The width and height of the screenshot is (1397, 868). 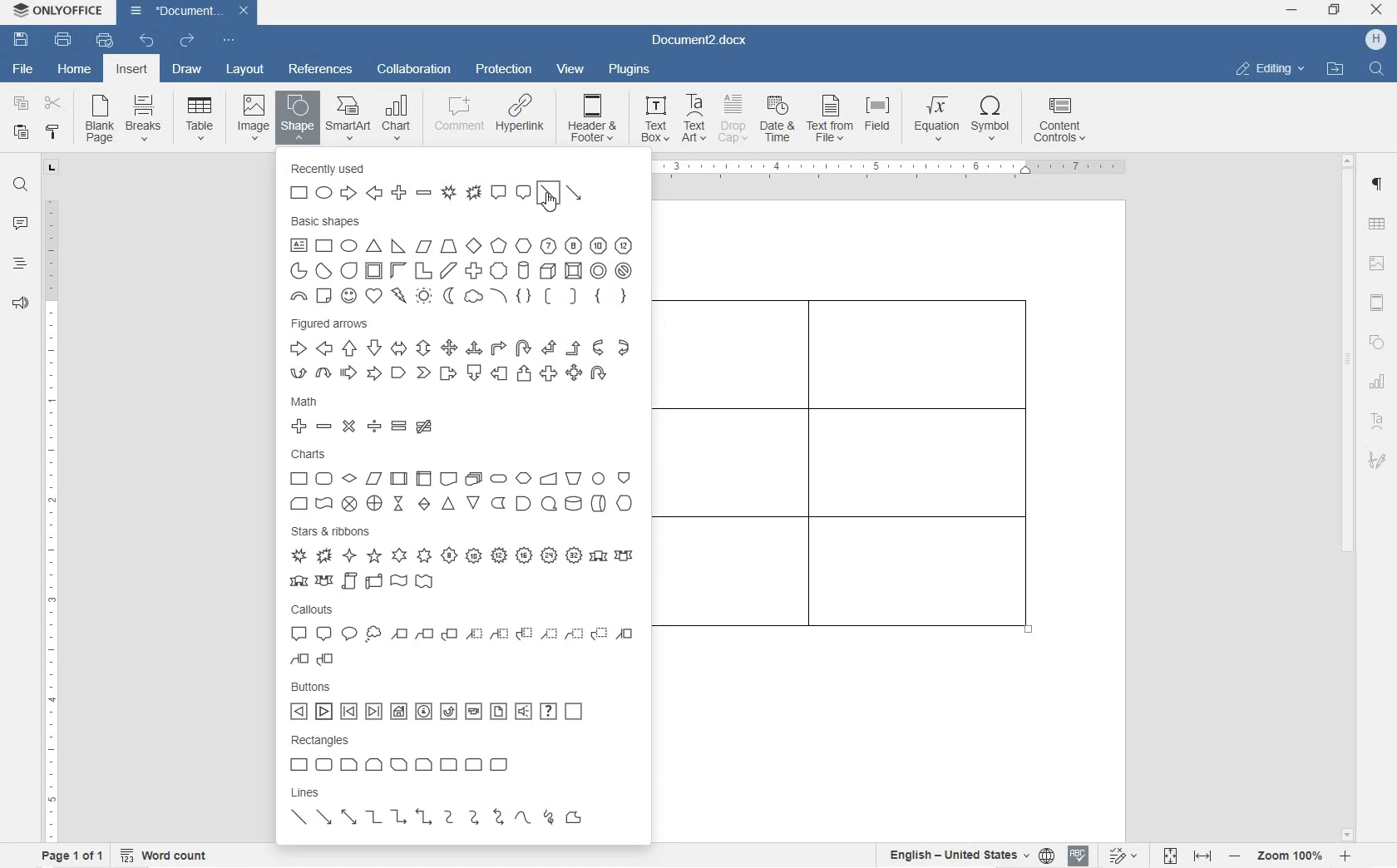 What do you see at coordinates (22, 186) in the screenshot?
I see `find` at bounding box center [22, 186].